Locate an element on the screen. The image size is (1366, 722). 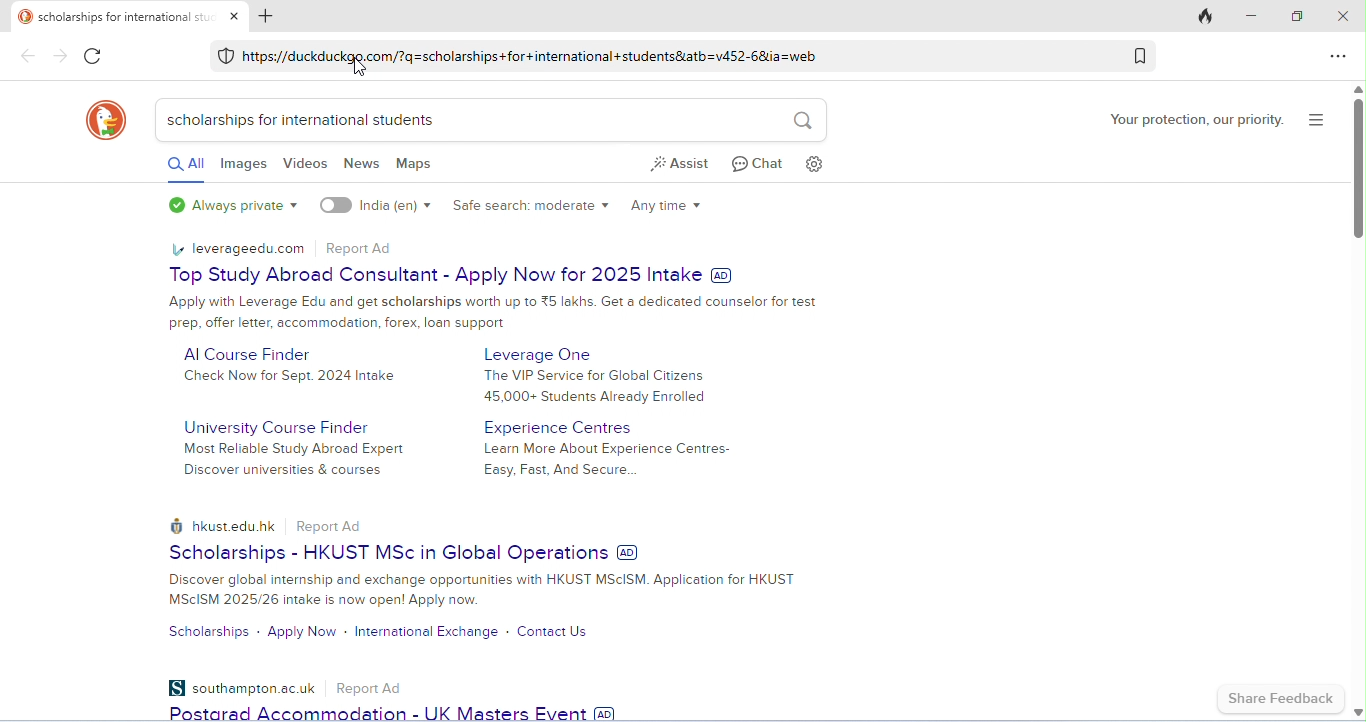
show search and more options is located at coordinates (1316, 120).